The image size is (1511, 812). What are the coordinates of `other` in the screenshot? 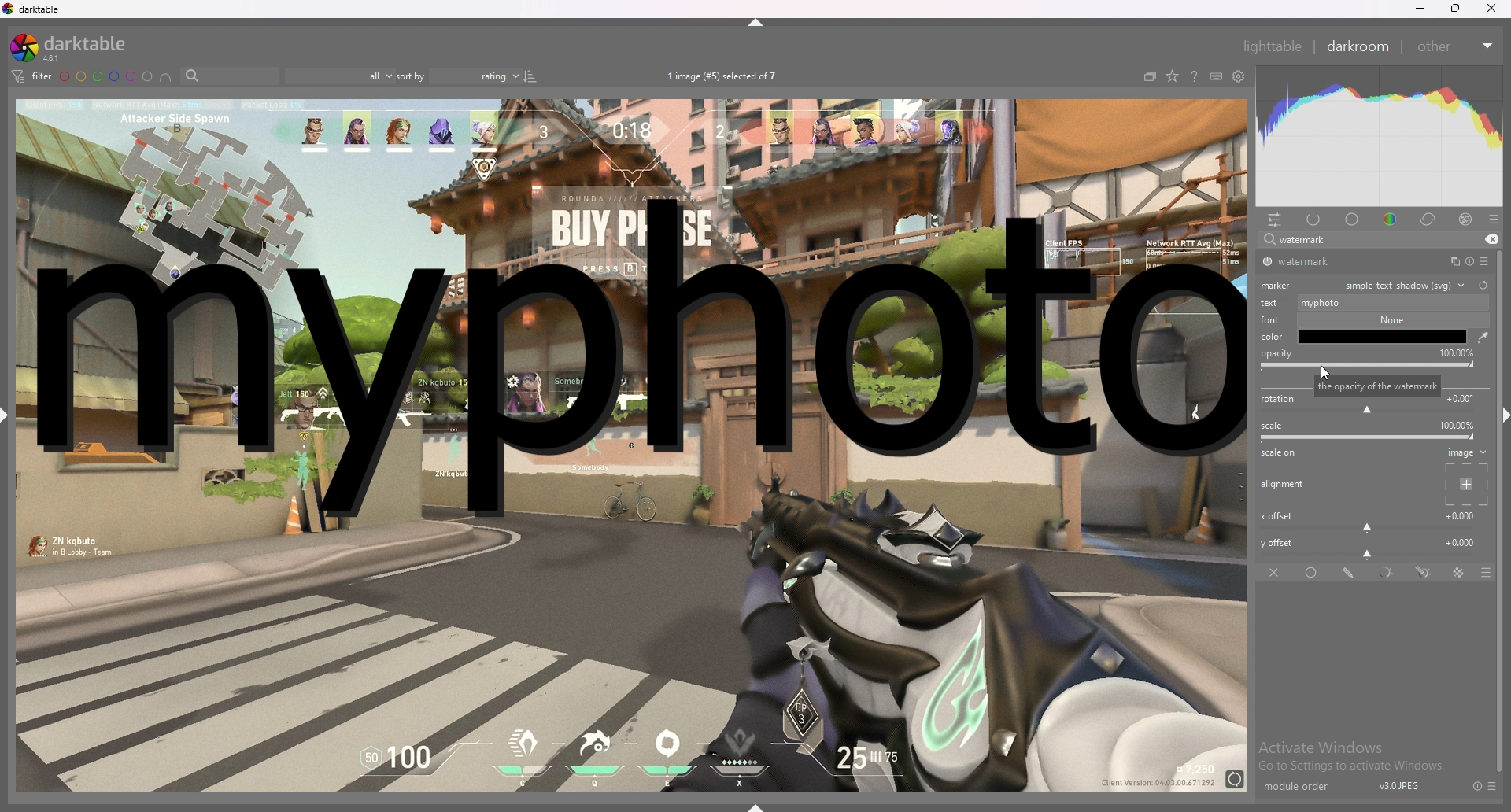 It's located at (1454, 46).